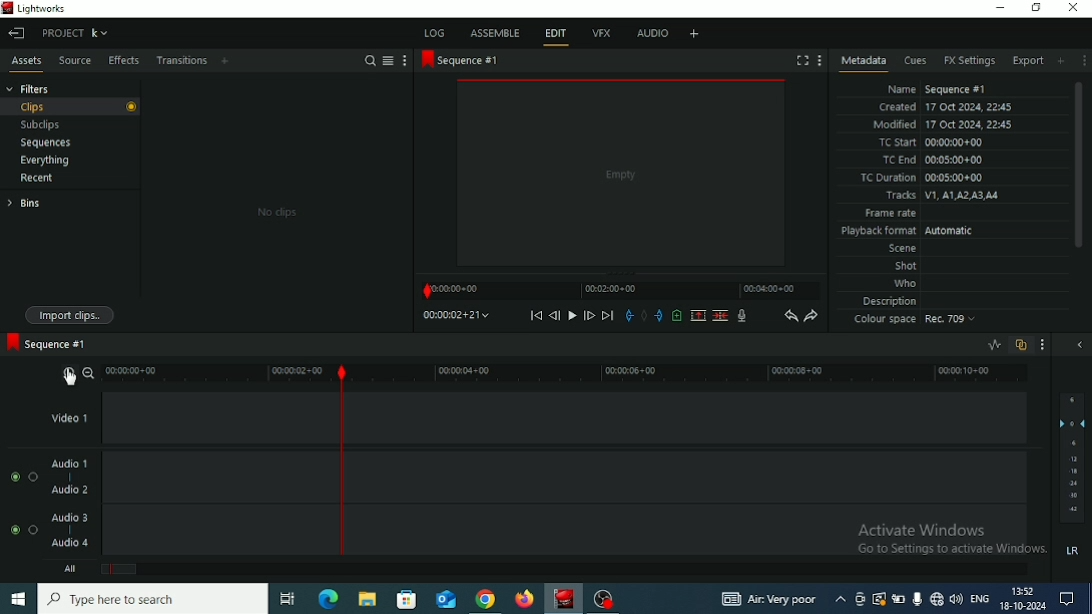  Describe the element at coordinates (620, 291) in the screenshot. I see `Play duration` at that location.